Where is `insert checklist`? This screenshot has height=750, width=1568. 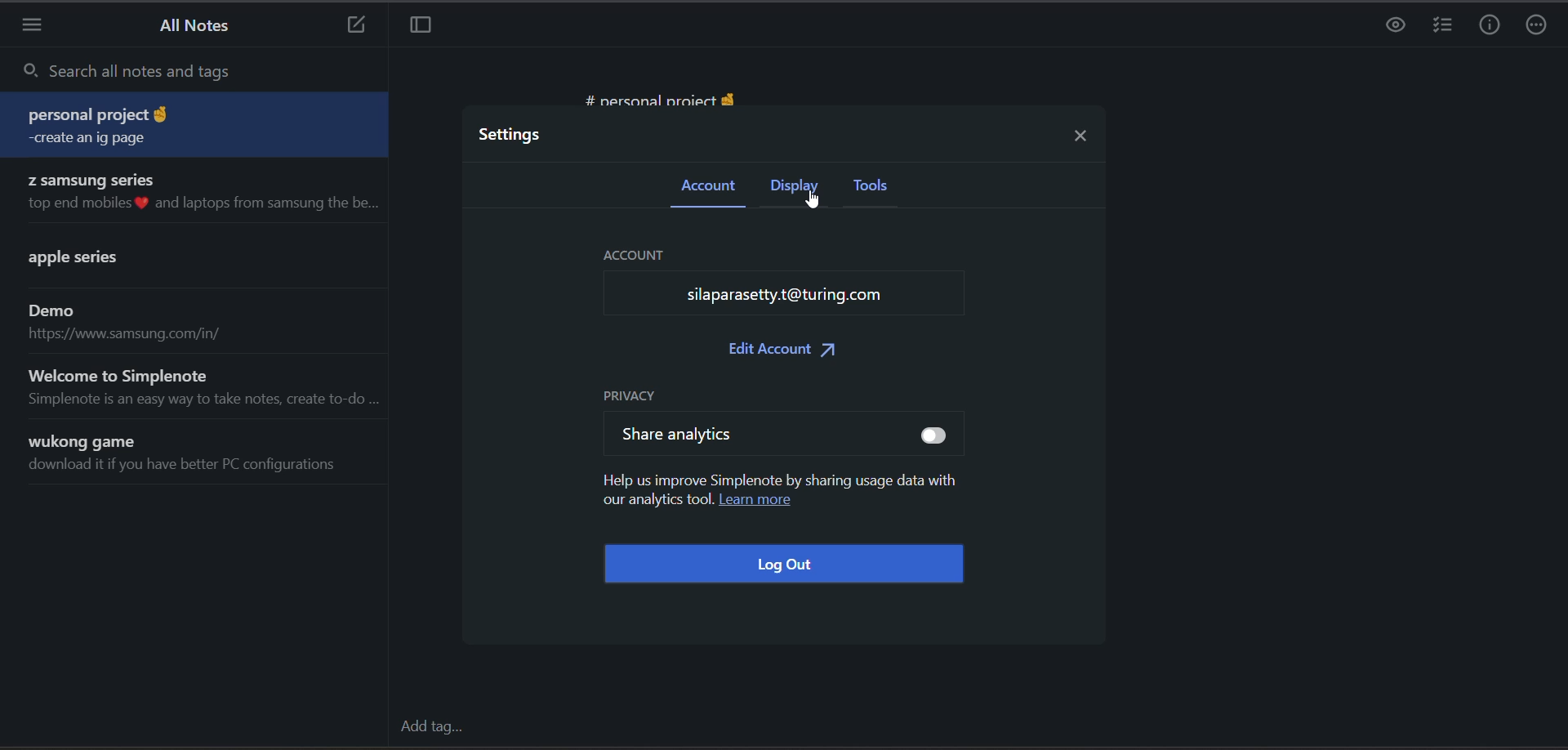 insert checklist is located at coordinates (1443, 26).